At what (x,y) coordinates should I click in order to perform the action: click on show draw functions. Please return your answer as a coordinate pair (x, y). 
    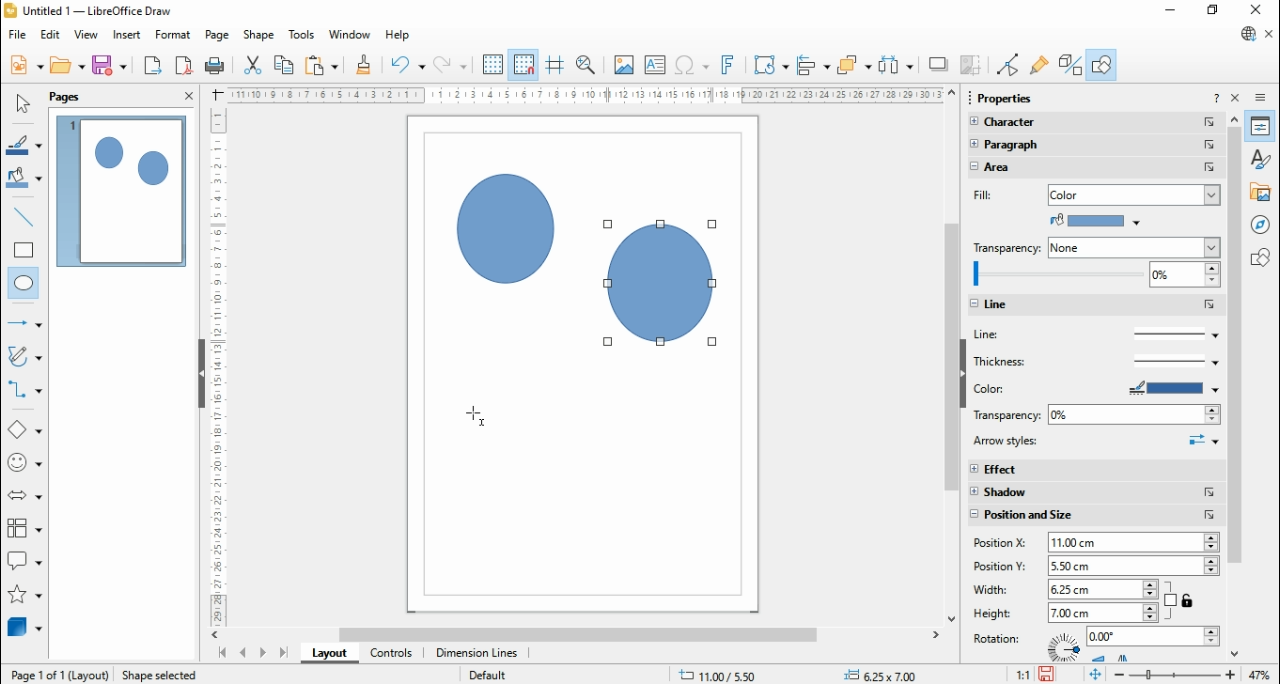
    Looking at the image, I should click on (1101, 64).